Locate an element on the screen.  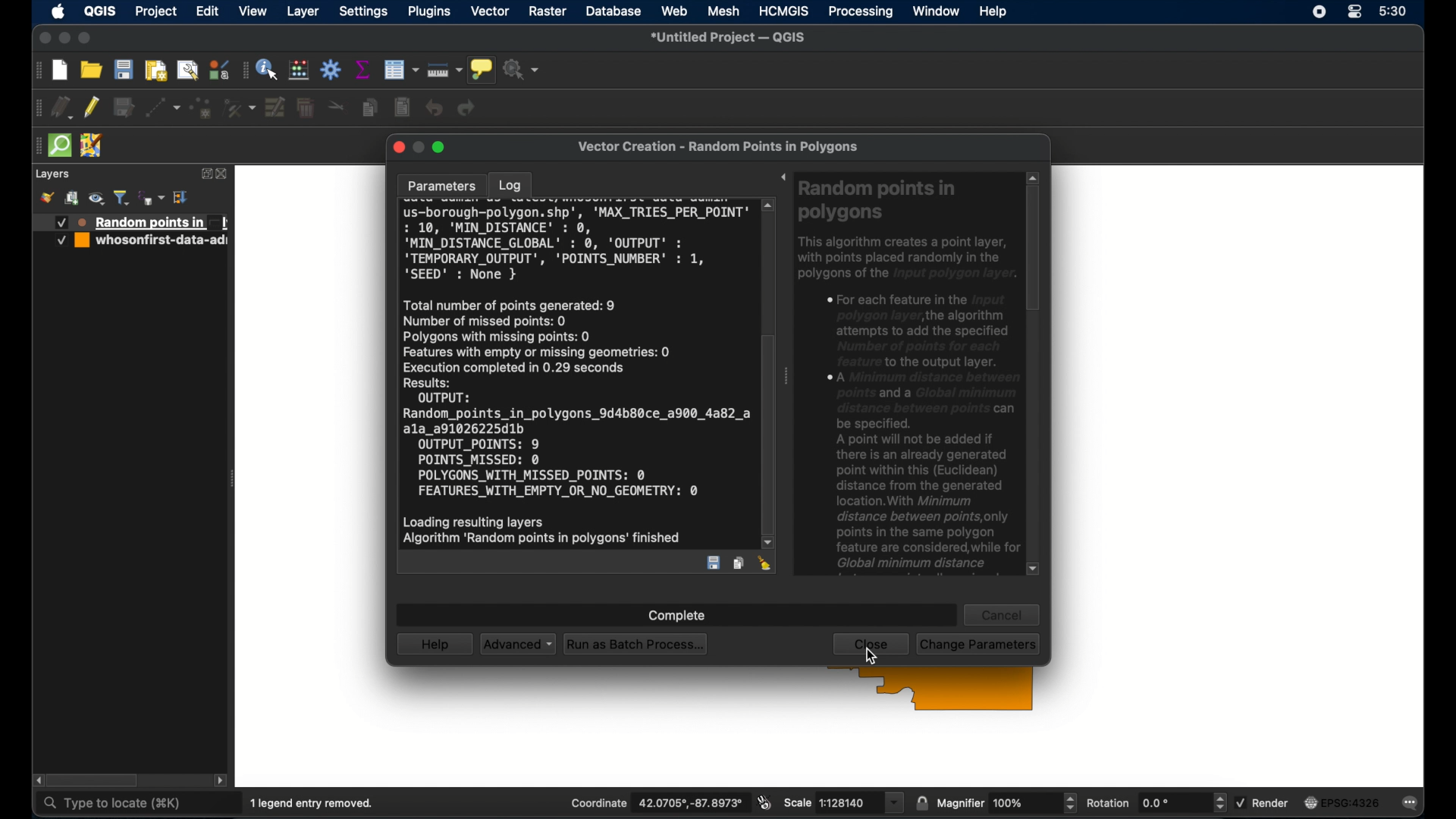
digitized ithsegment is located at coordinates (162, 107).